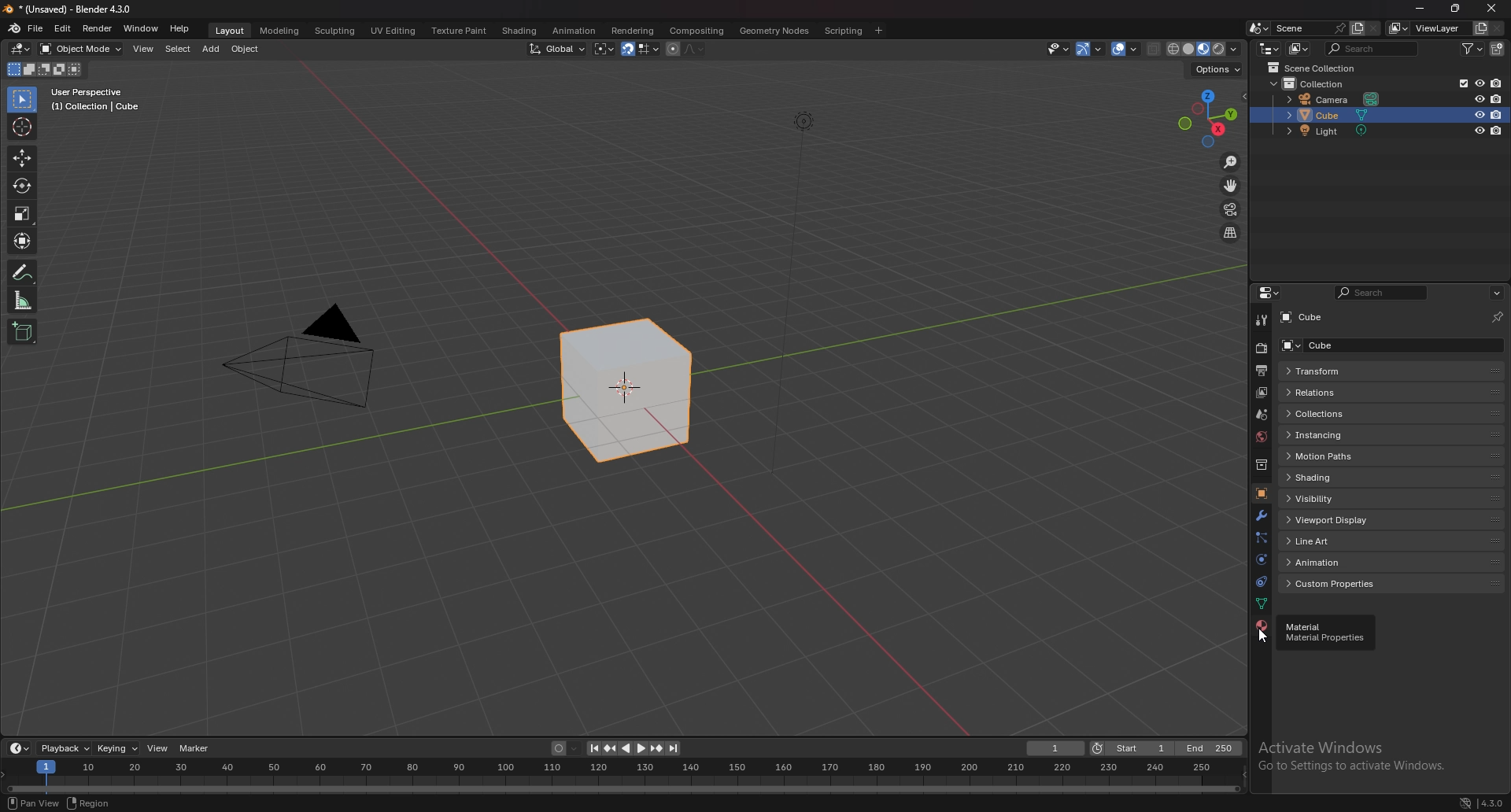 The width and height of the screenshot is (1511, 812). Describe the element at coordinates (178, 50) in the screenshot. I see `select` at that location.